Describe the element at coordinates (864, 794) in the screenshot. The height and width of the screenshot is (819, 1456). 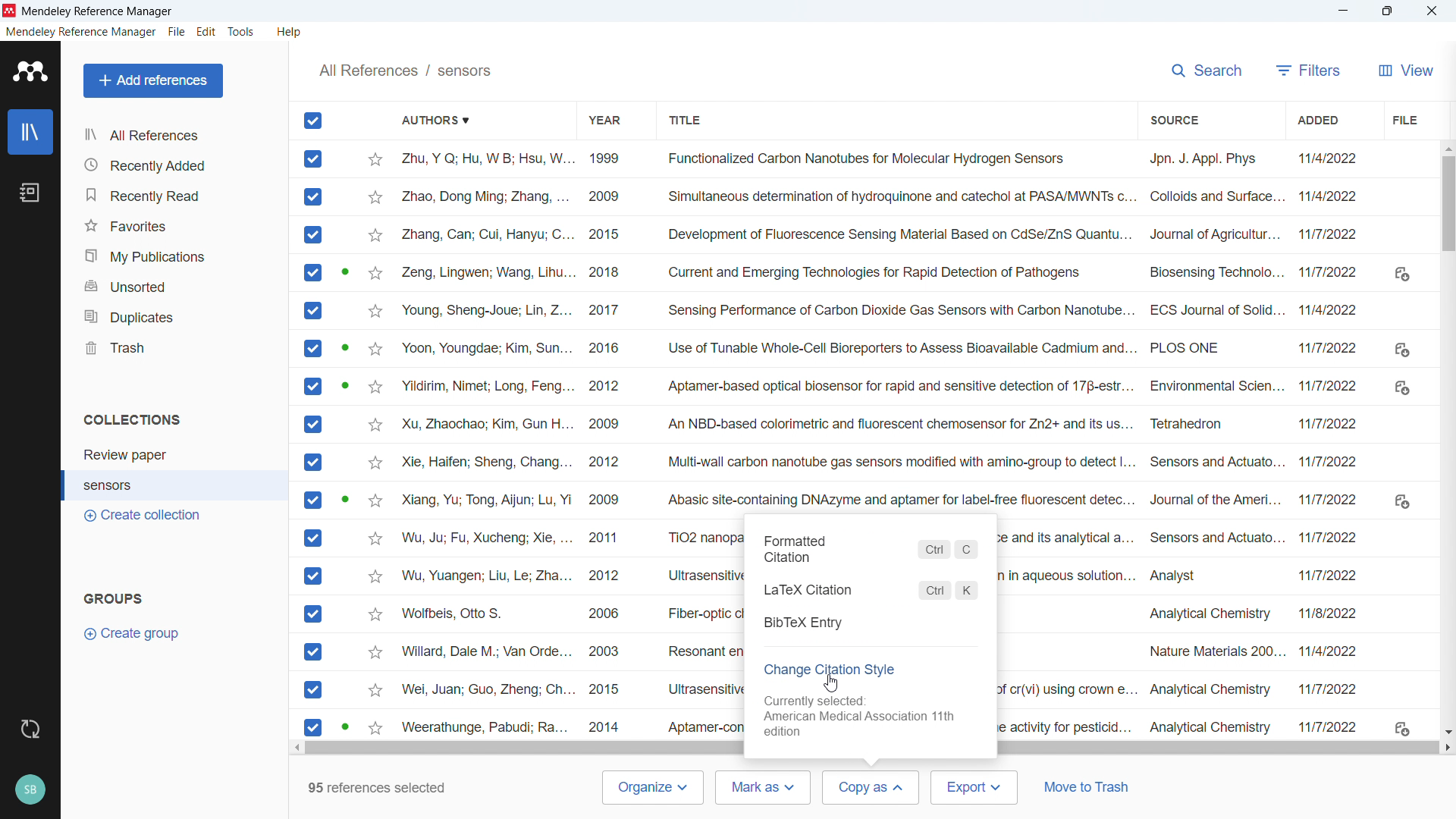
I see `Cursor` at that location.